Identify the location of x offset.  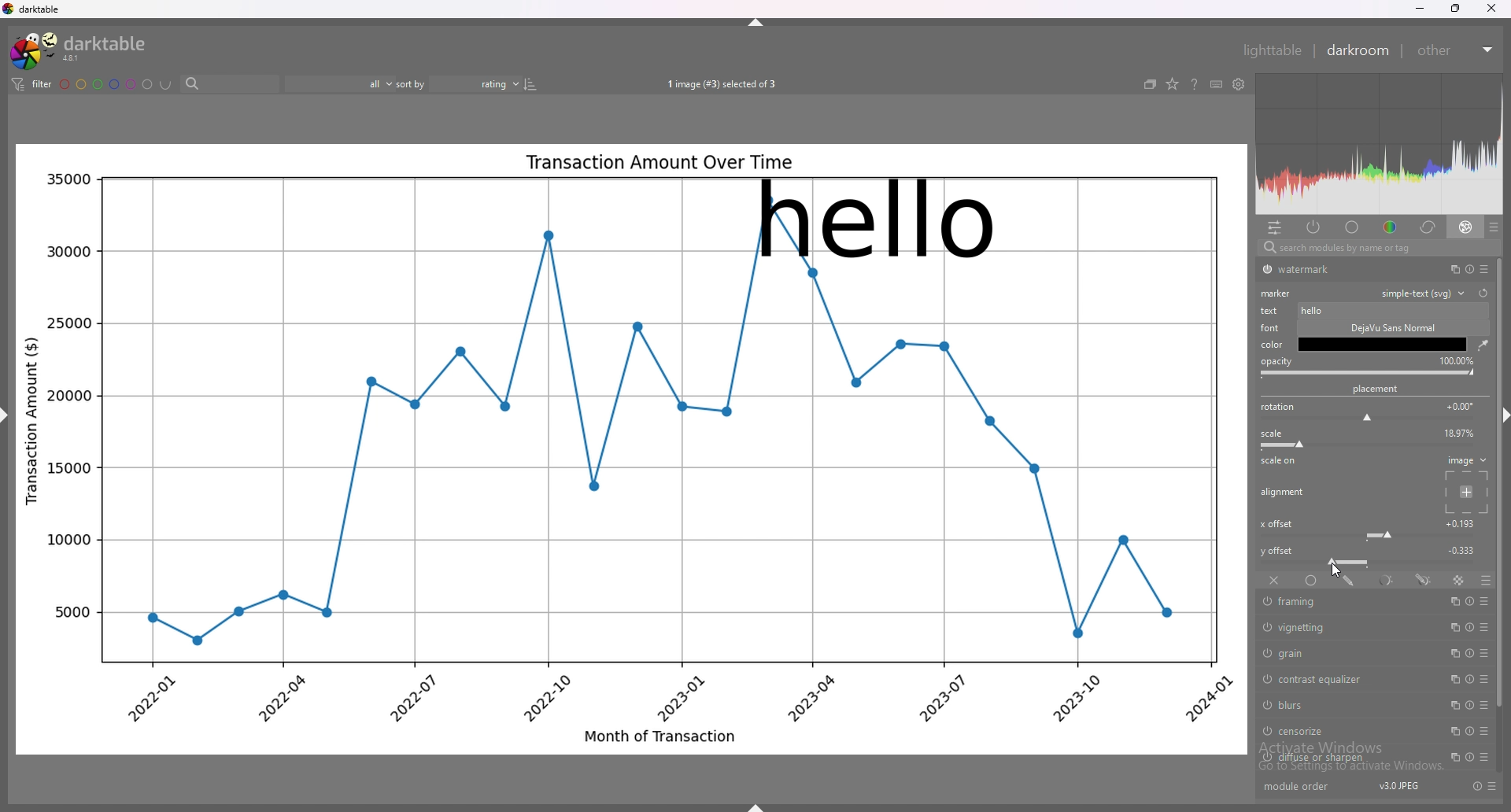
(1276, 524).